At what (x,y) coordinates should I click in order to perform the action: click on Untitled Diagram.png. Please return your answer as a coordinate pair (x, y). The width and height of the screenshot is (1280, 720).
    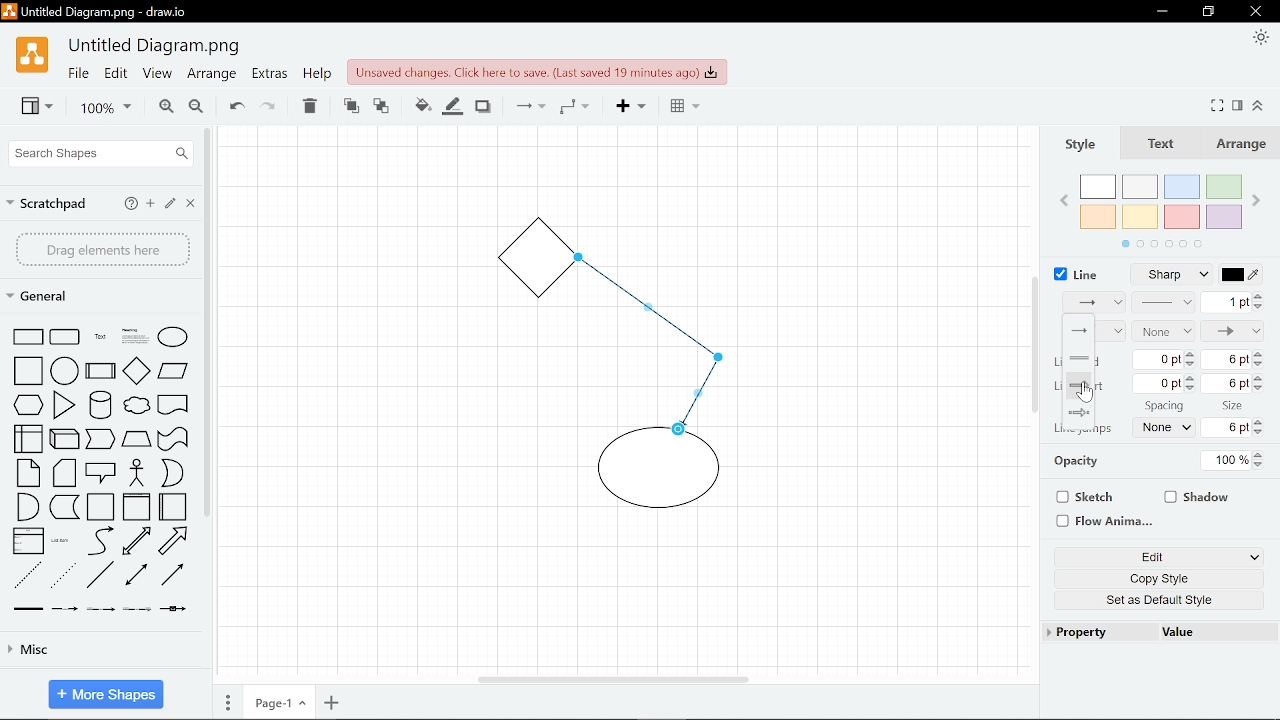
    Looking at the image, I should click on (156, 47).